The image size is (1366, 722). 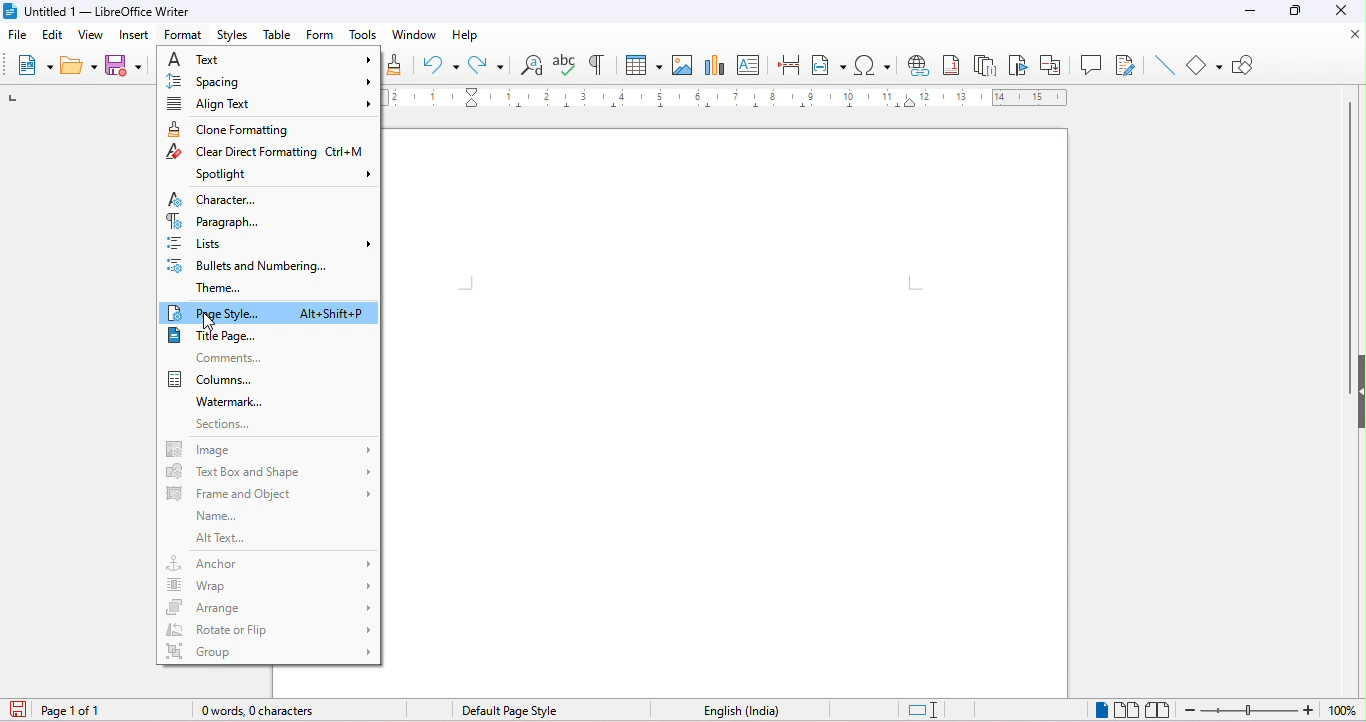 What do you see at coordinates (748, 68) in the screenshot?
I see `text box` at bounding box center [748, 68].